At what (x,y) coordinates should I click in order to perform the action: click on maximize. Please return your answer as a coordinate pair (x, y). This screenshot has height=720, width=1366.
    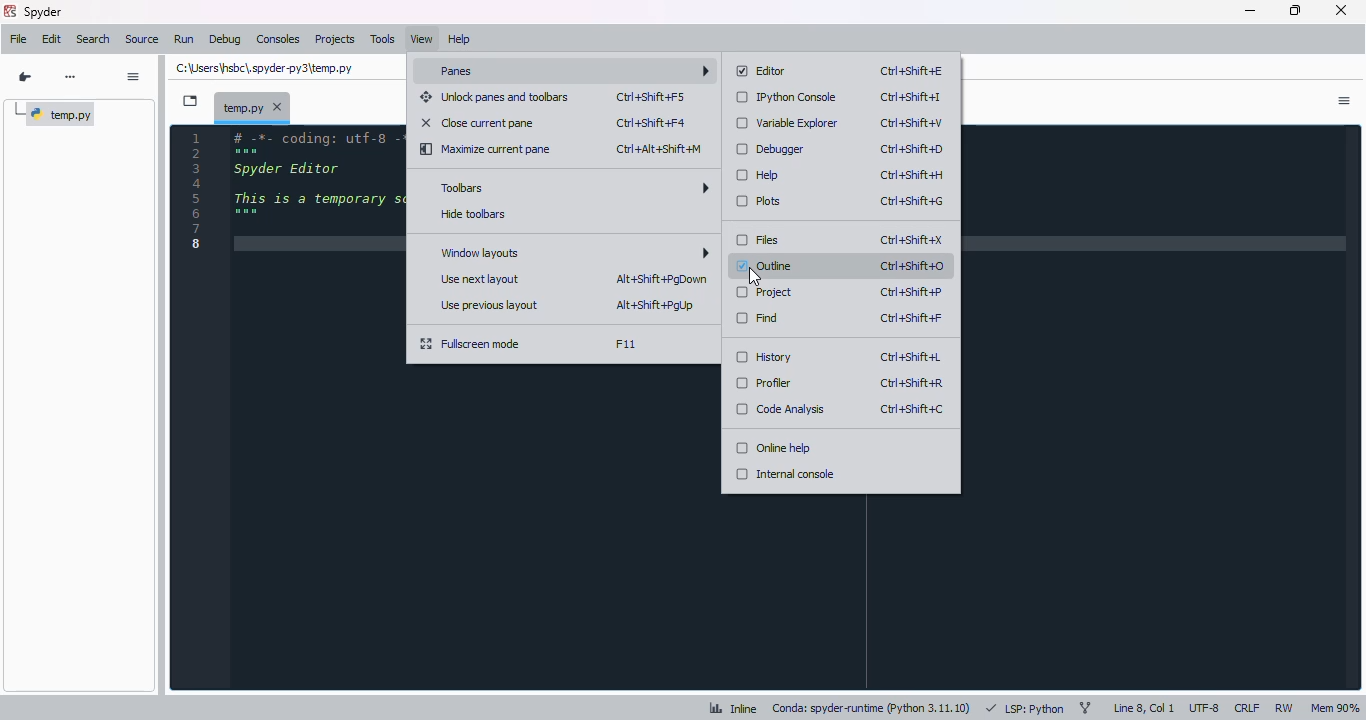
    Looking at the image, I should click on (1296, 10).